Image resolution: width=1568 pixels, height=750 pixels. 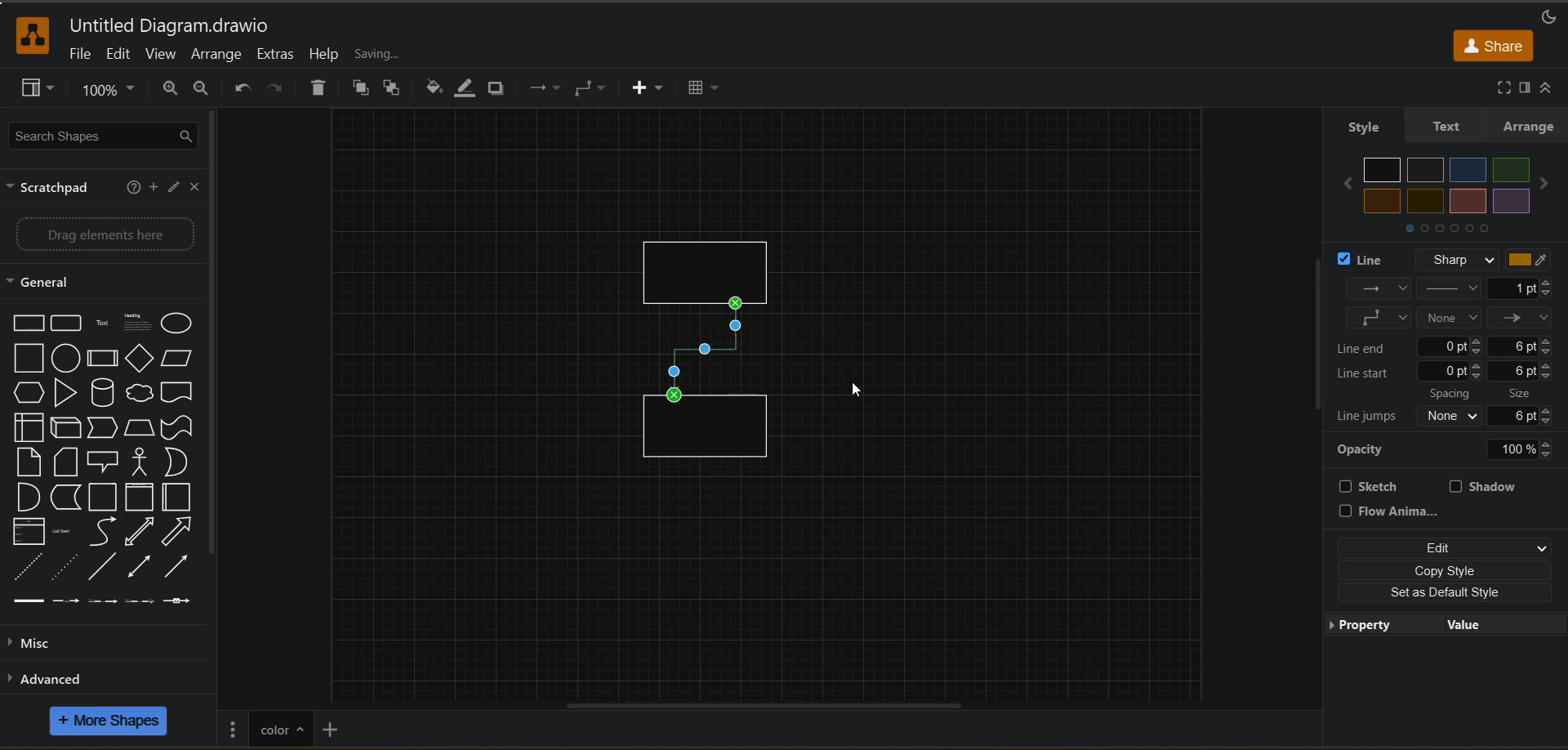 What do you see at coordinates (101, 567) in the screenshot?
I see `Line` at bounding box center [101, 567].